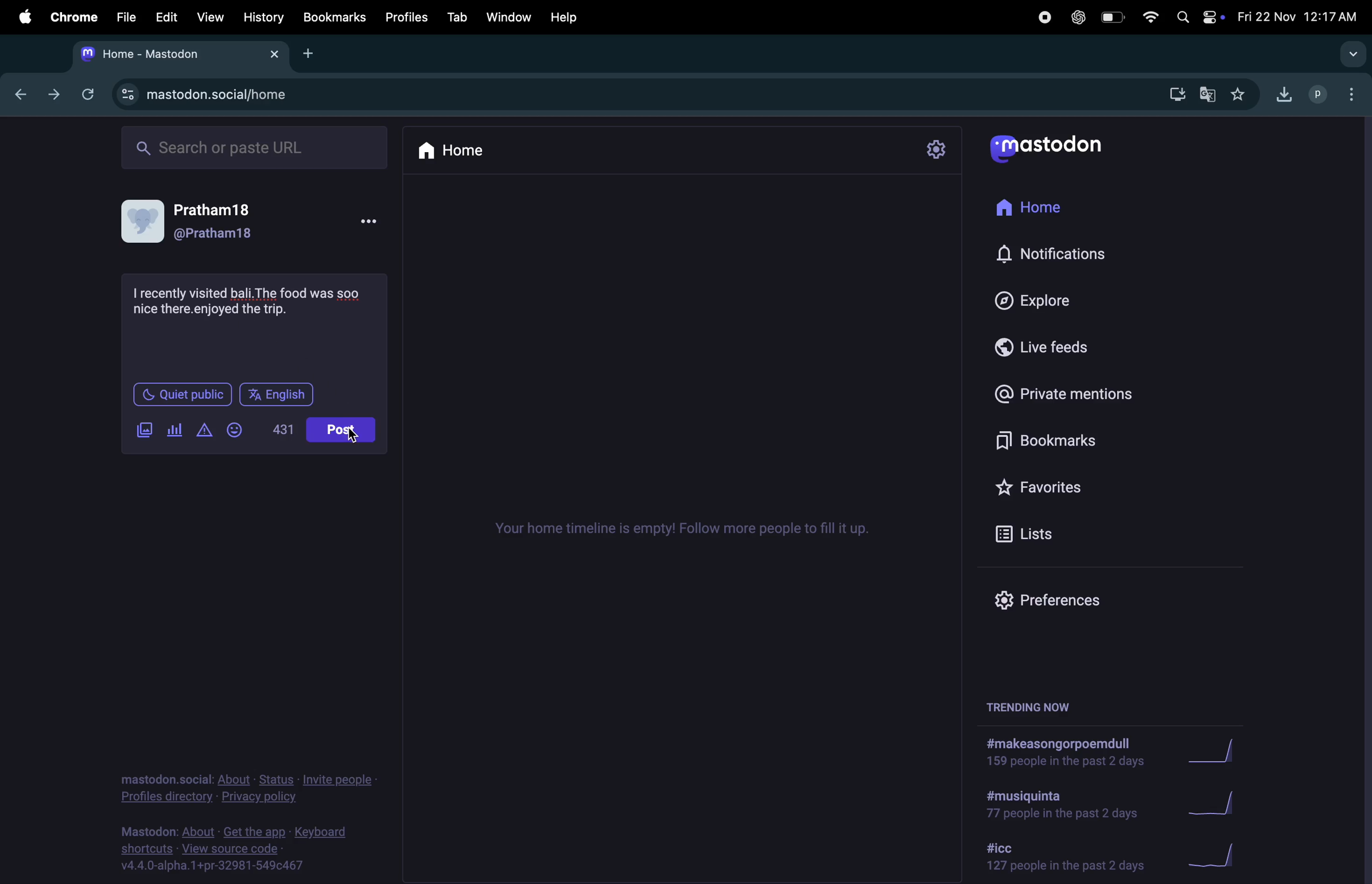 This screenshot has height=884, width=1372. I want to click on profiles, so click(406, 18).